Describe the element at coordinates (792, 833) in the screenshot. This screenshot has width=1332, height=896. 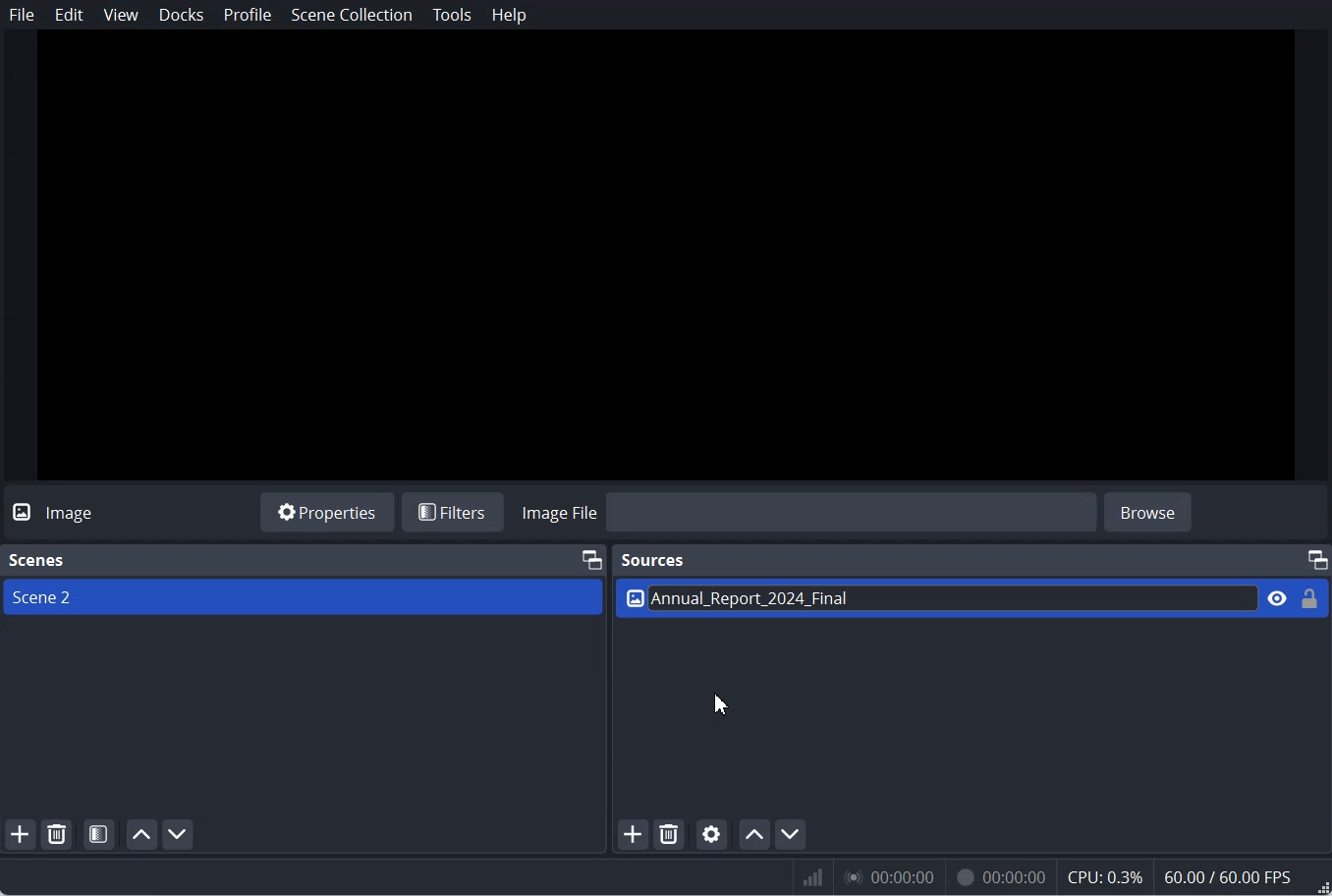
I see `Move source down` at that location.